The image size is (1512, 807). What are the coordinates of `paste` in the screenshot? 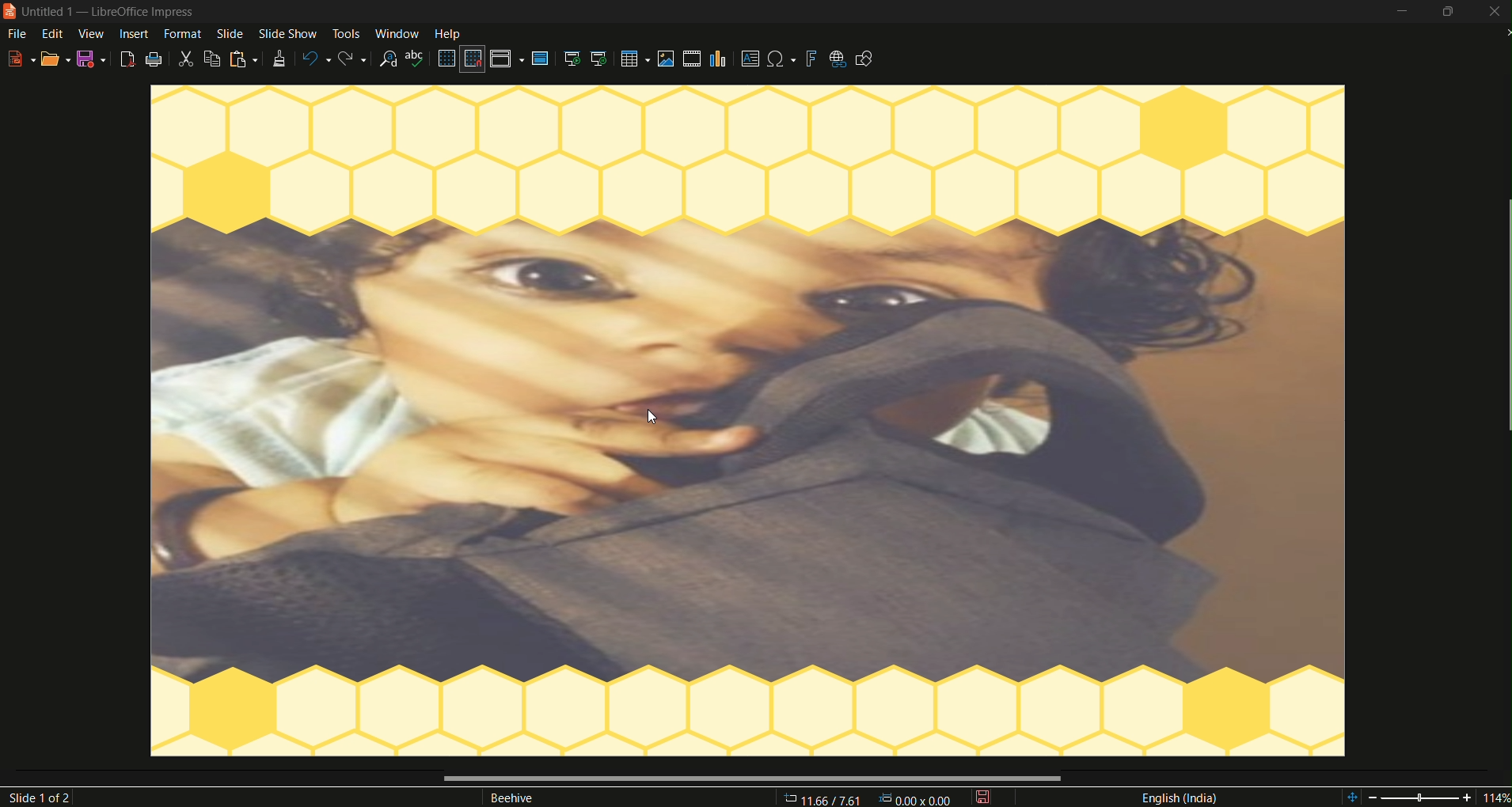 It's located at (243, 60).